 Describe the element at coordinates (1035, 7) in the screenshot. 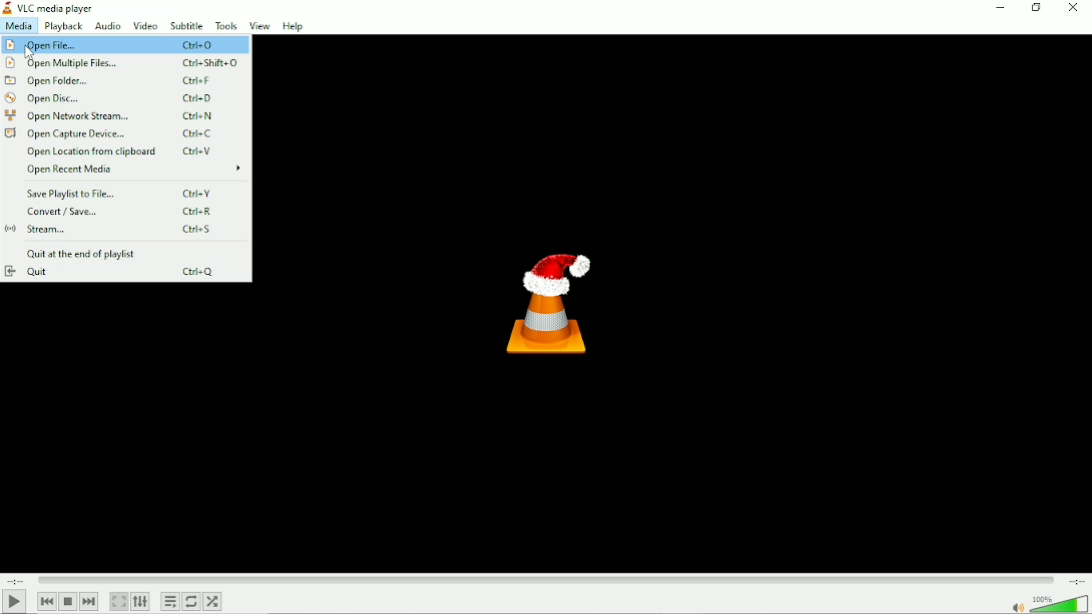

I see `Restore down` at that location.